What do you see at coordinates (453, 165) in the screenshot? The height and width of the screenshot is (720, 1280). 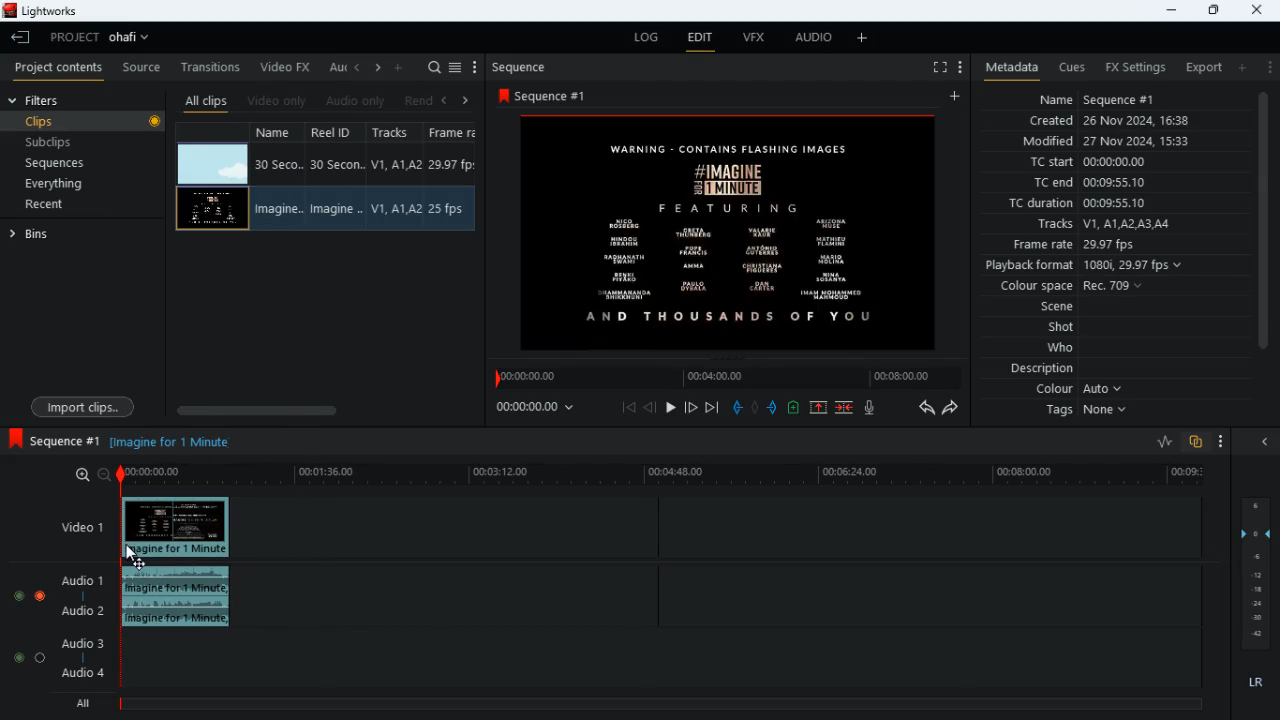 I see `Frame rate` at bounding box center [453, 165].